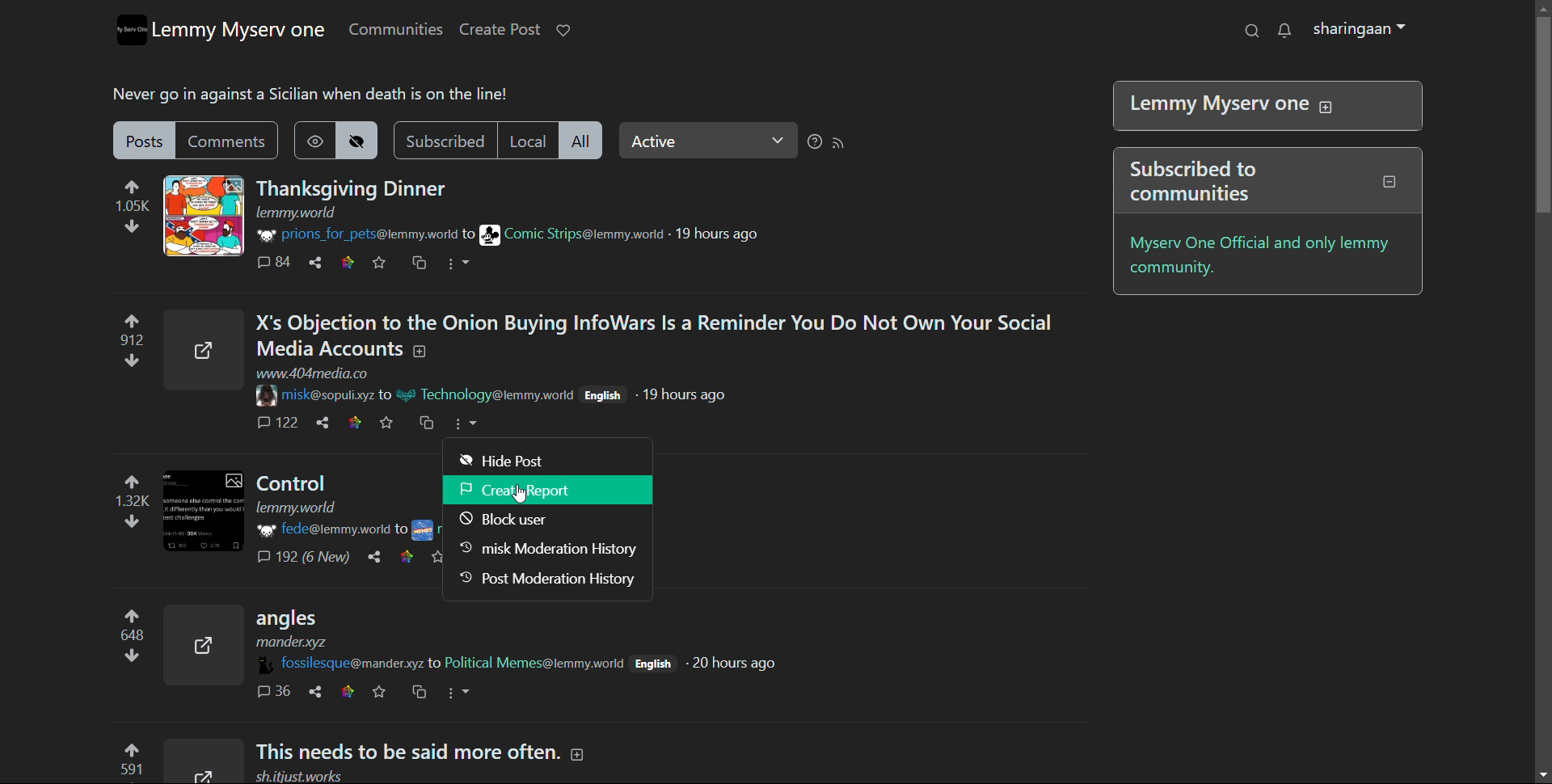 This screenshot has height=784, width=1552. Describe the element at coordinates (318, 374) in the screenshot. I see `URL` at that location.